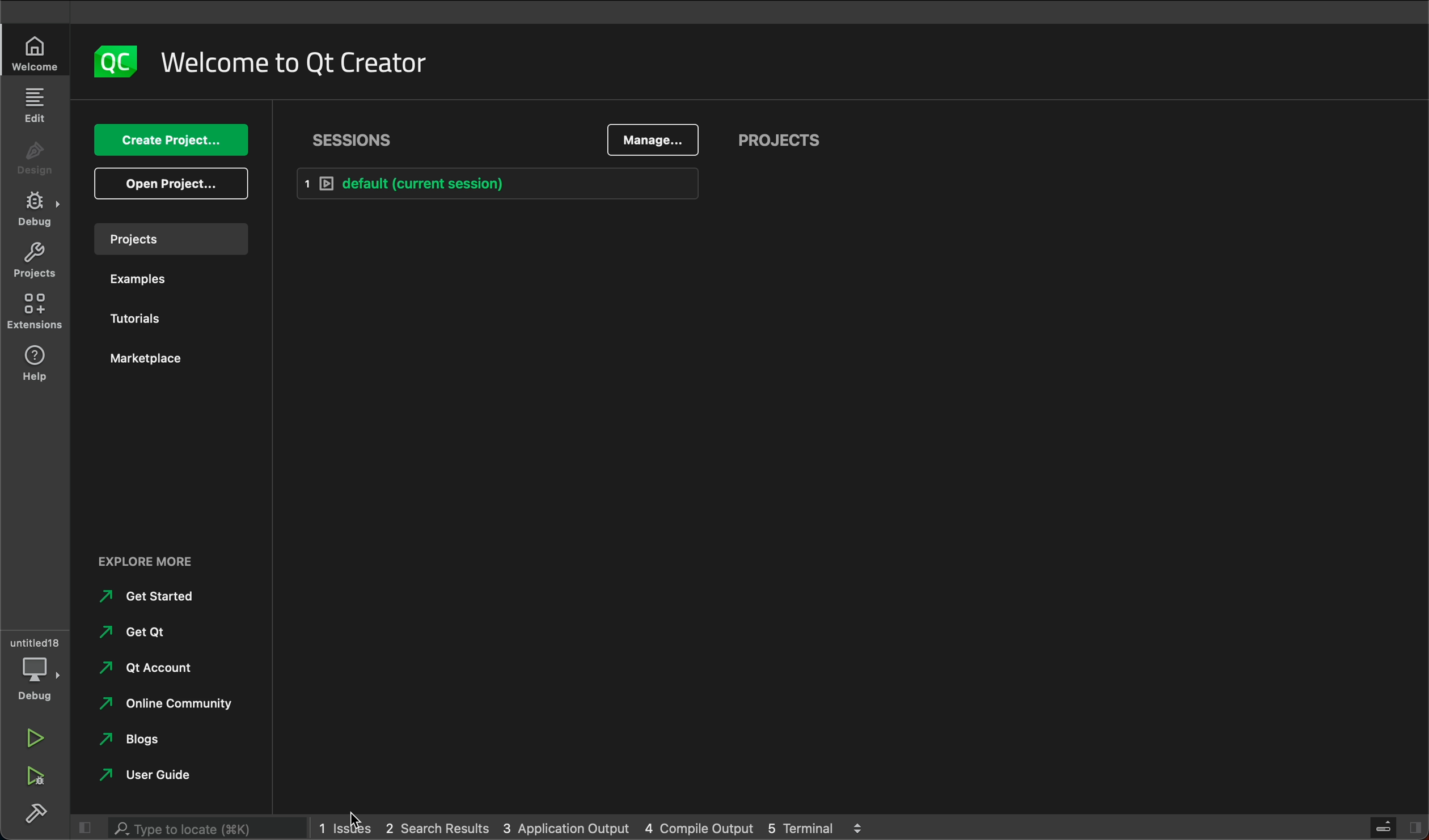  What do you see at coordinates (35, 737) in the screenshot?
I see `run` at bounding box center [35, 737].